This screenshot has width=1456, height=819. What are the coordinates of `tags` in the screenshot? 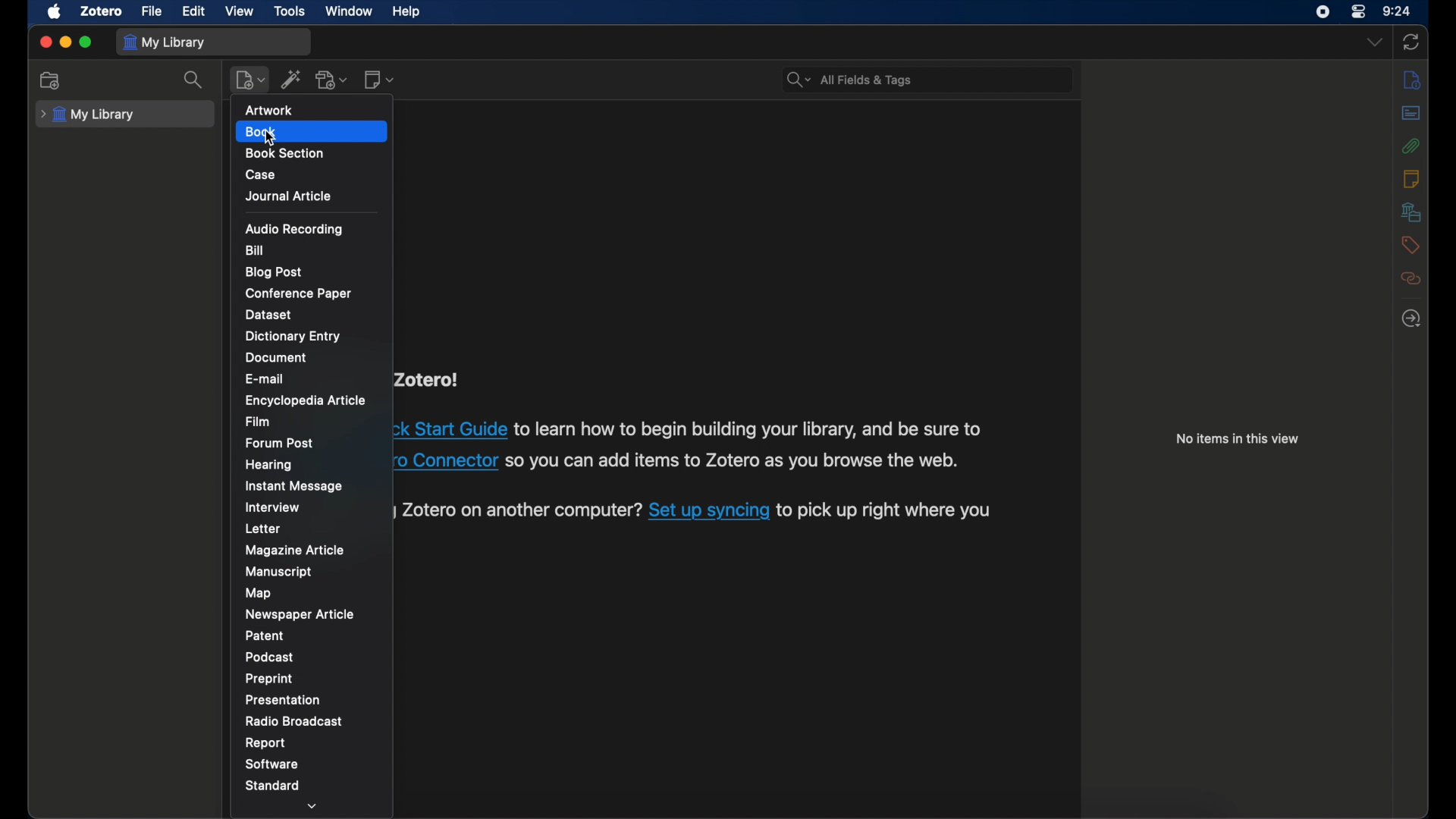 It's located at (1410, 244).